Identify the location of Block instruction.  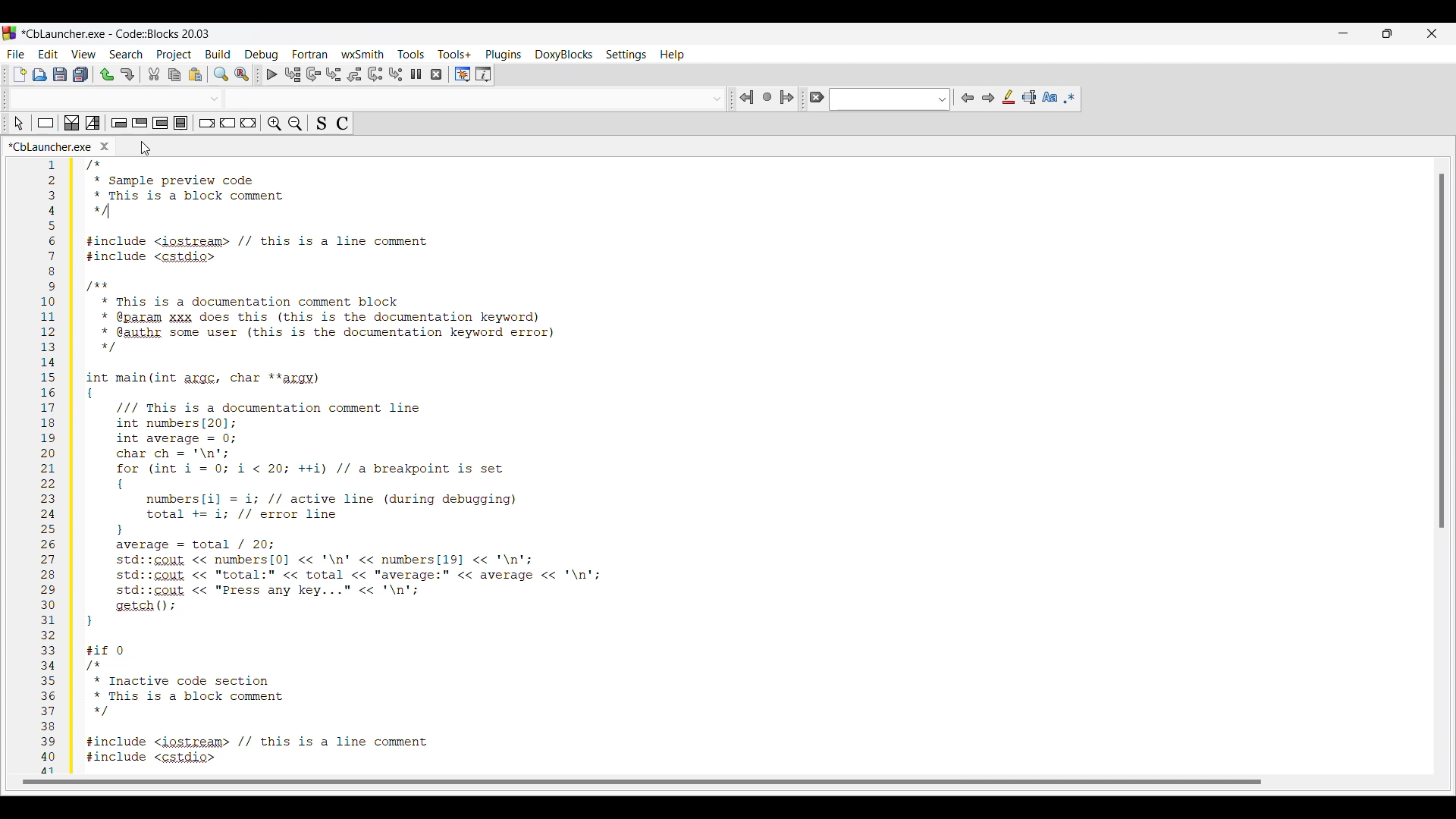
(180, 123).